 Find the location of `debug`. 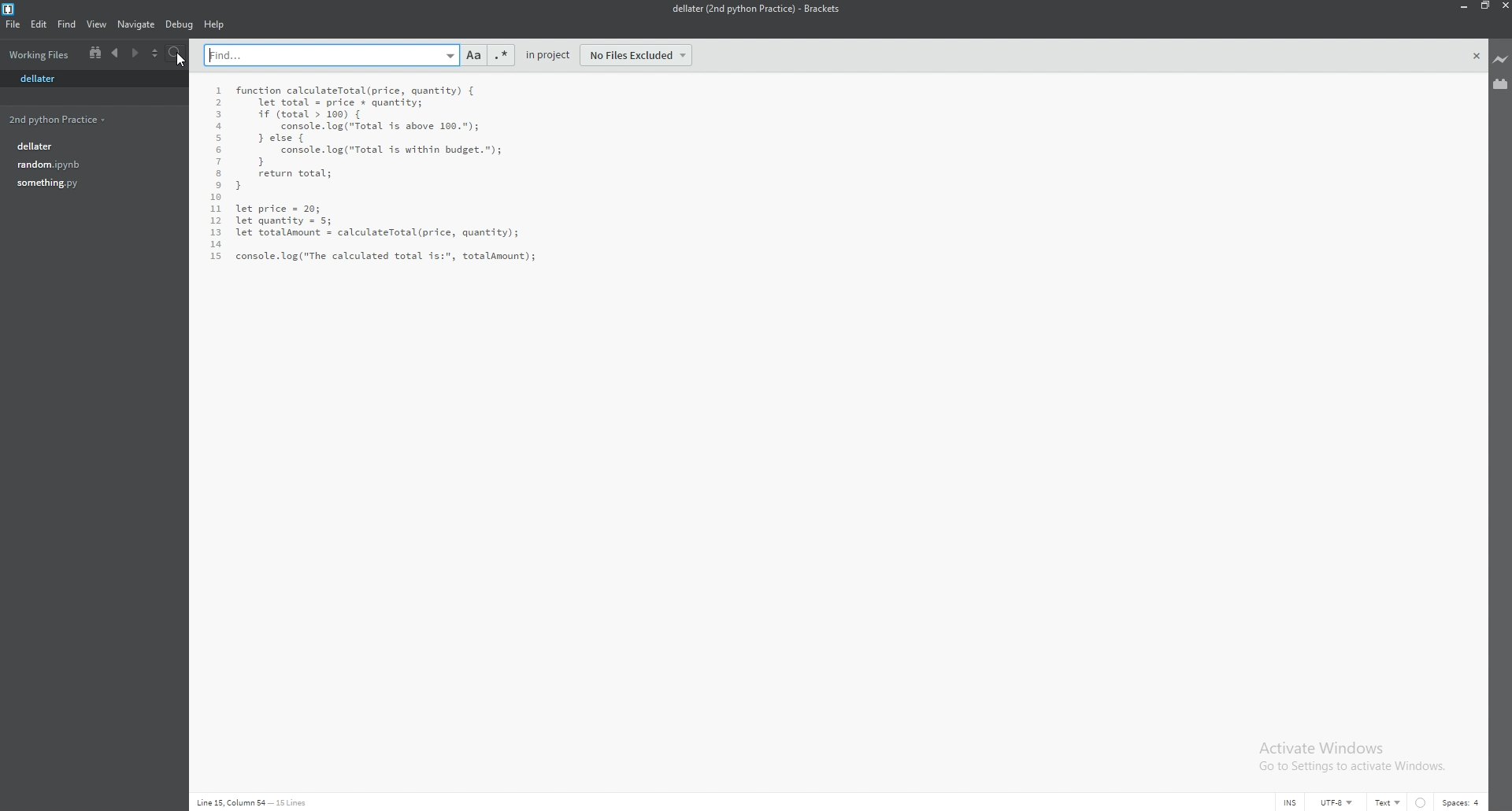

debug is located at coordinates (180, 24).